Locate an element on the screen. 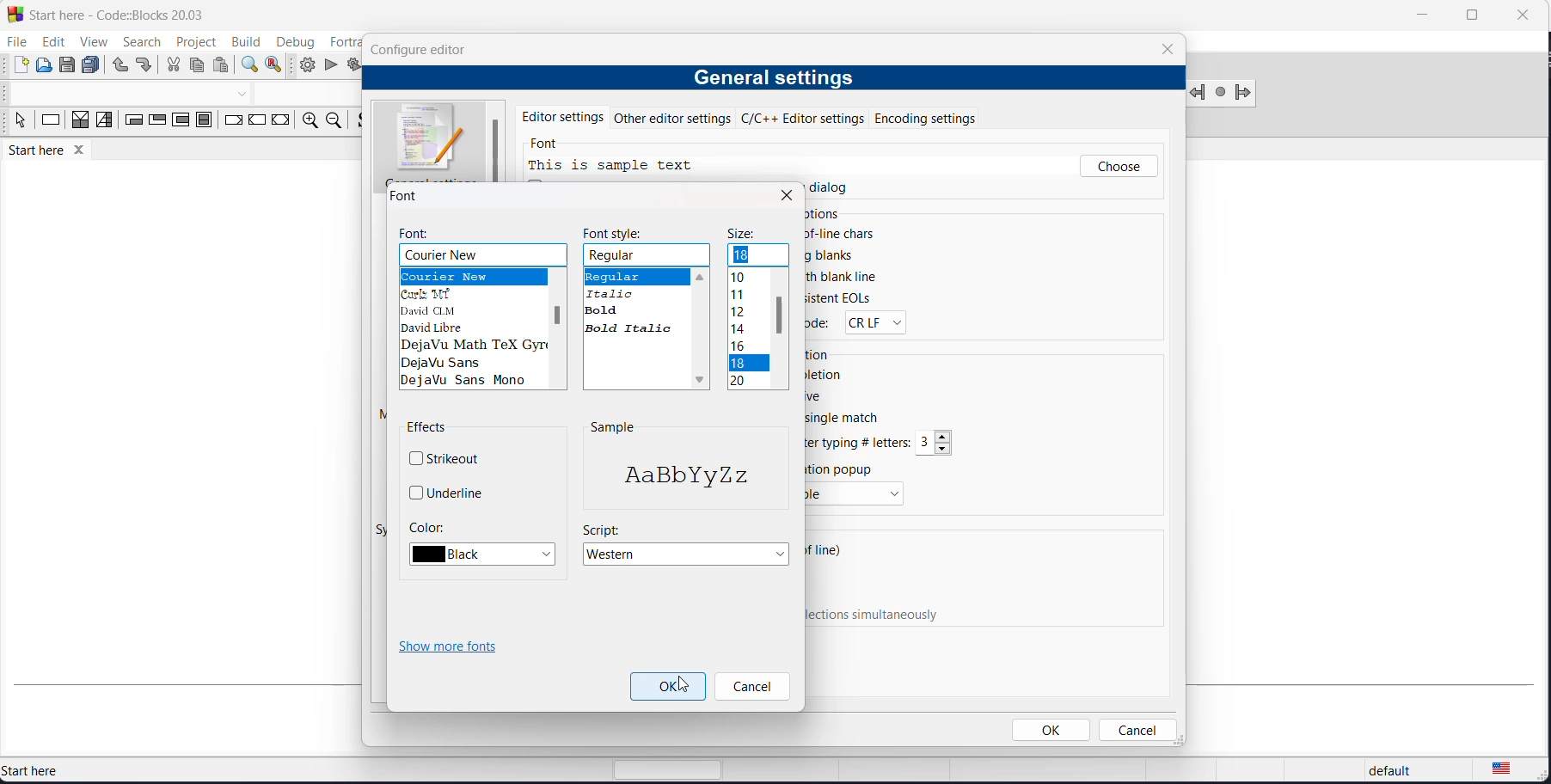  project is located at coordinates (193, 42).